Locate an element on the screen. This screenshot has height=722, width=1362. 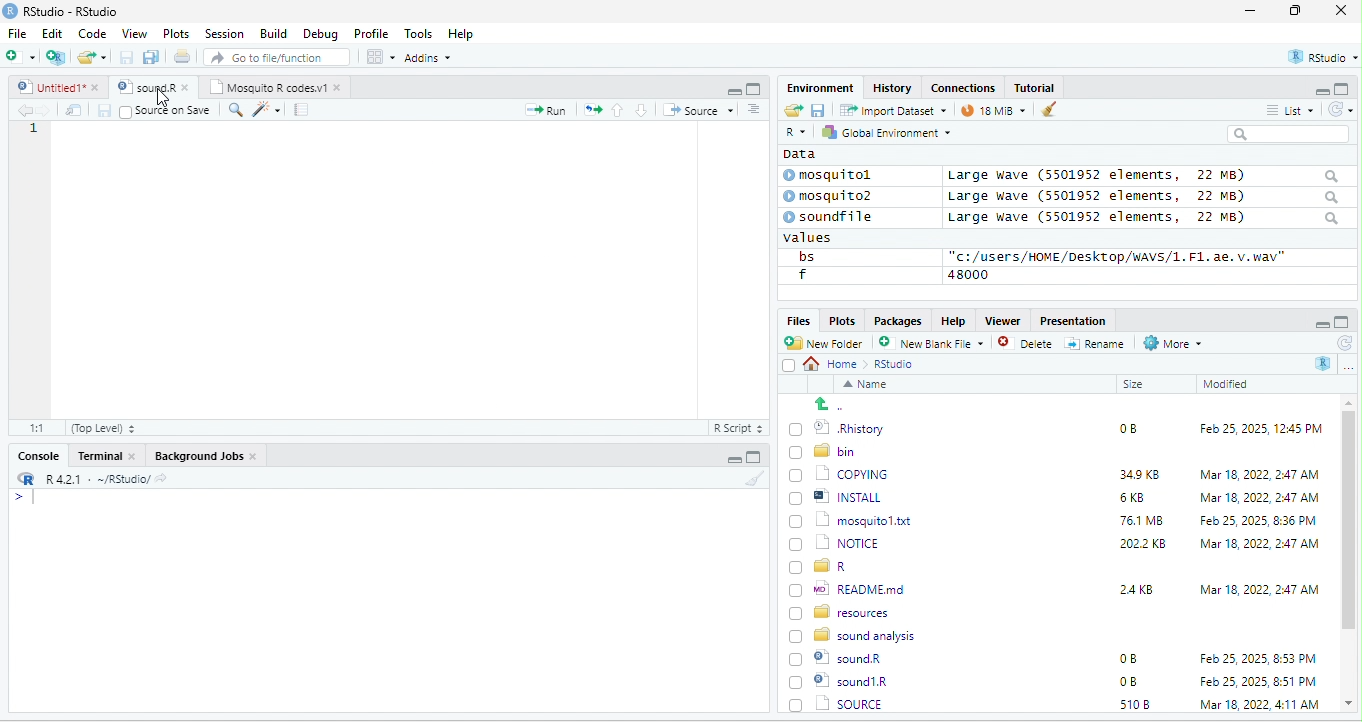
File is located at coordinates (17, 33).